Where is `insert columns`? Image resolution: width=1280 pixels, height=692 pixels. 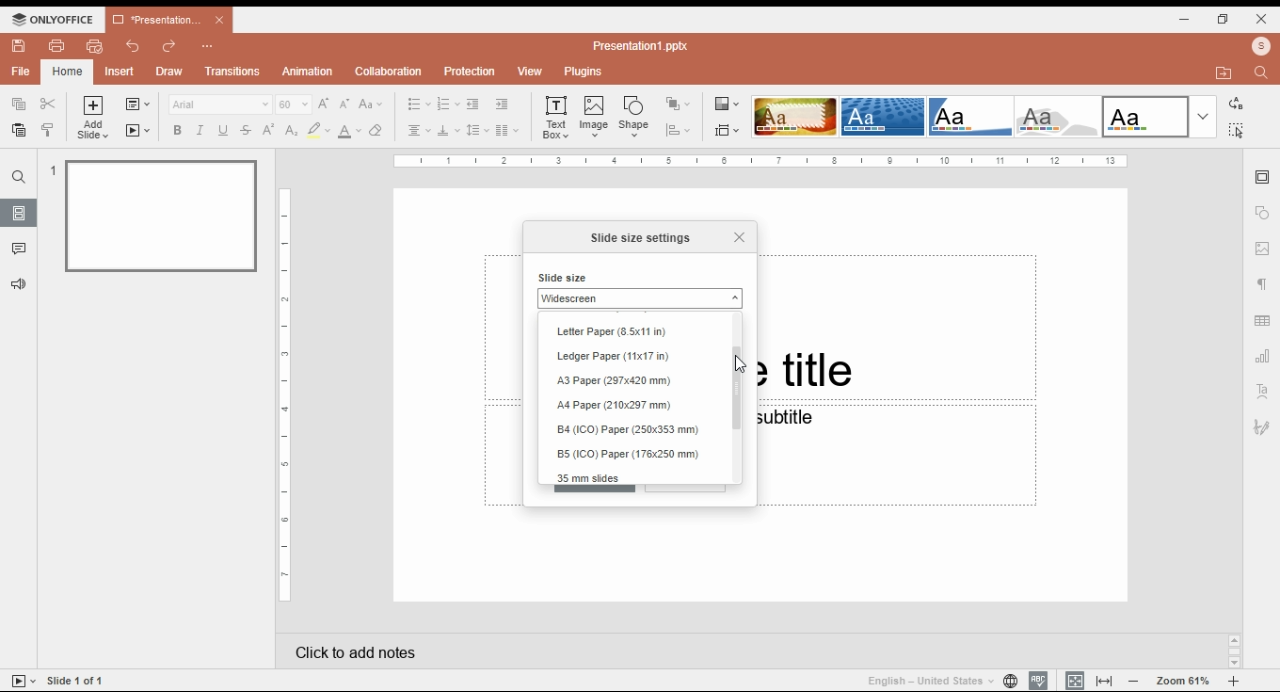
insert columns is located at coordinates (507, 132).